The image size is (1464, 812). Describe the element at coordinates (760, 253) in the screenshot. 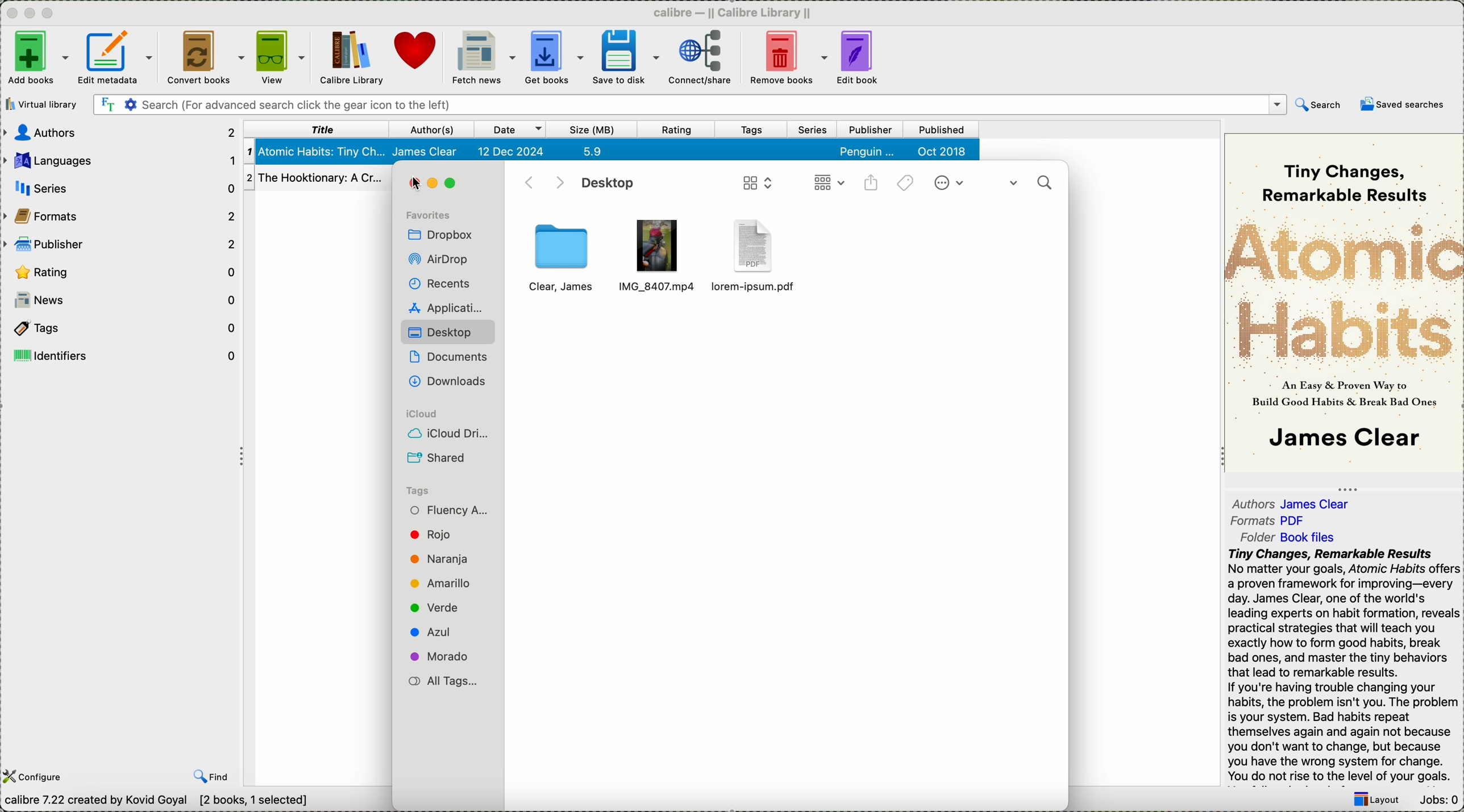

I see `folder` at that location.